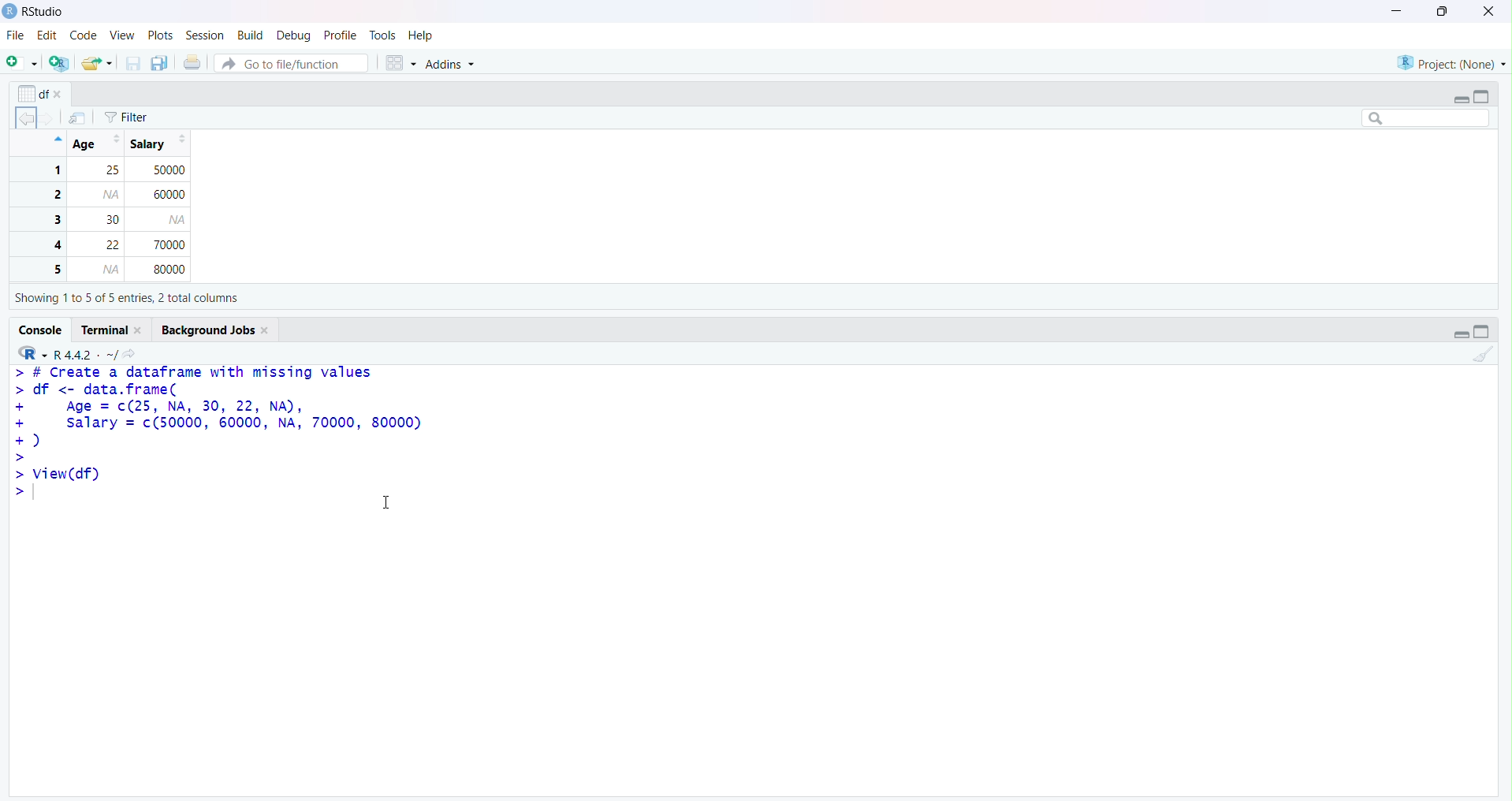 Image resolution: width=1512 pixels, height=801 pixels. I want to click on Clear Console (Ctrl + L), so click(1489, 355).